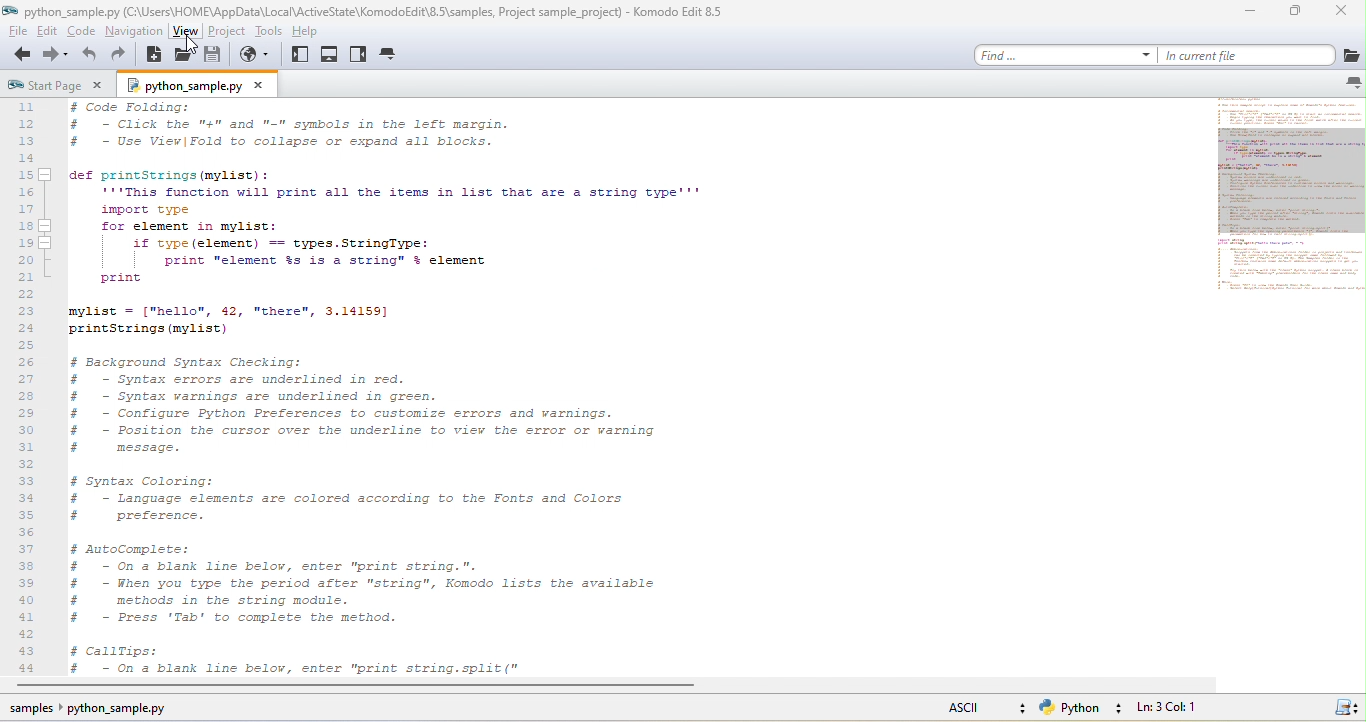 The width and height of the screenshot is (1366, 722). What do you see at coordinates (1082, 709) in the screenshot?
I see `python` at bounding box center [1082, 709].